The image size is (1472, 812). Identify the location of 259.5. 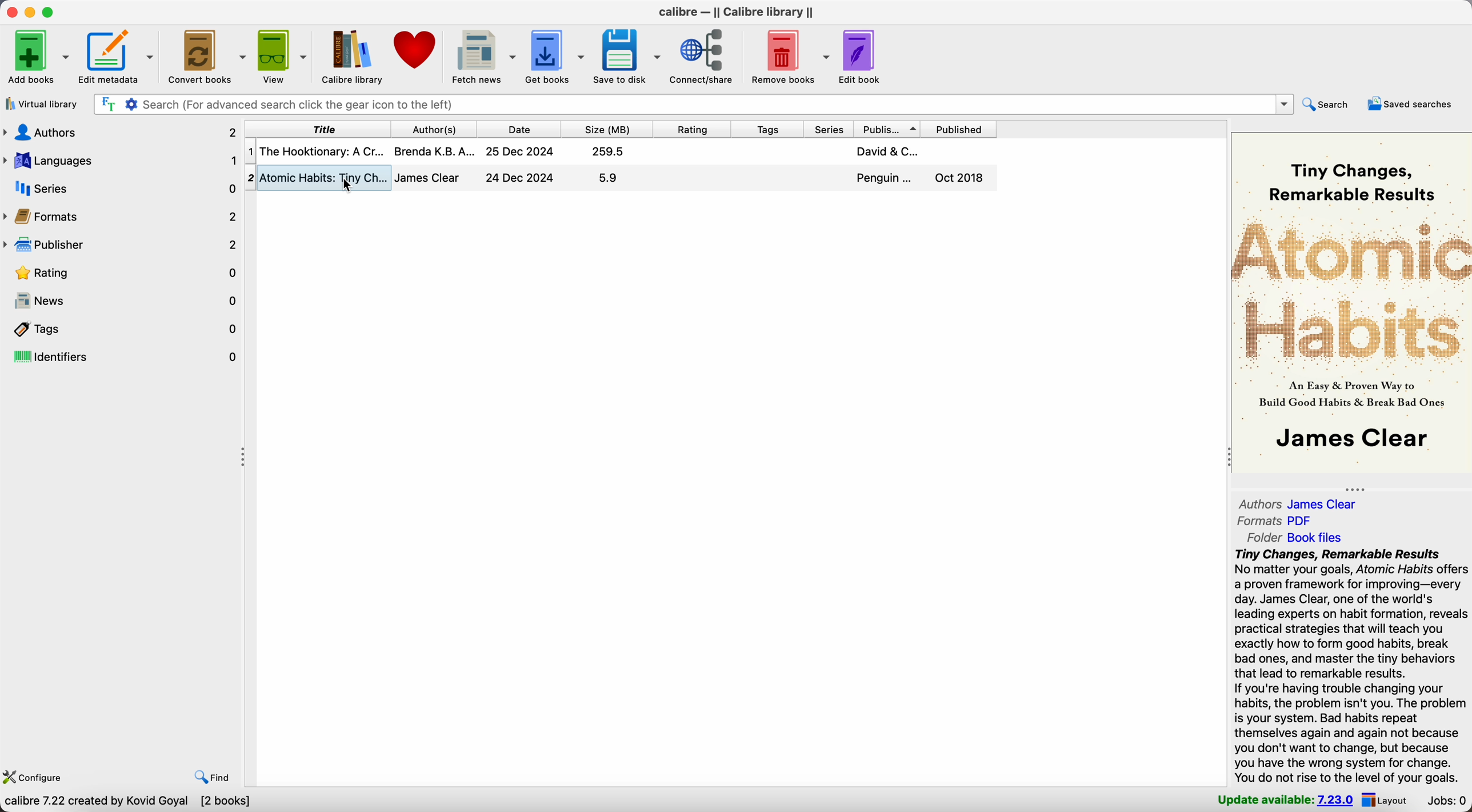
(609, 151).